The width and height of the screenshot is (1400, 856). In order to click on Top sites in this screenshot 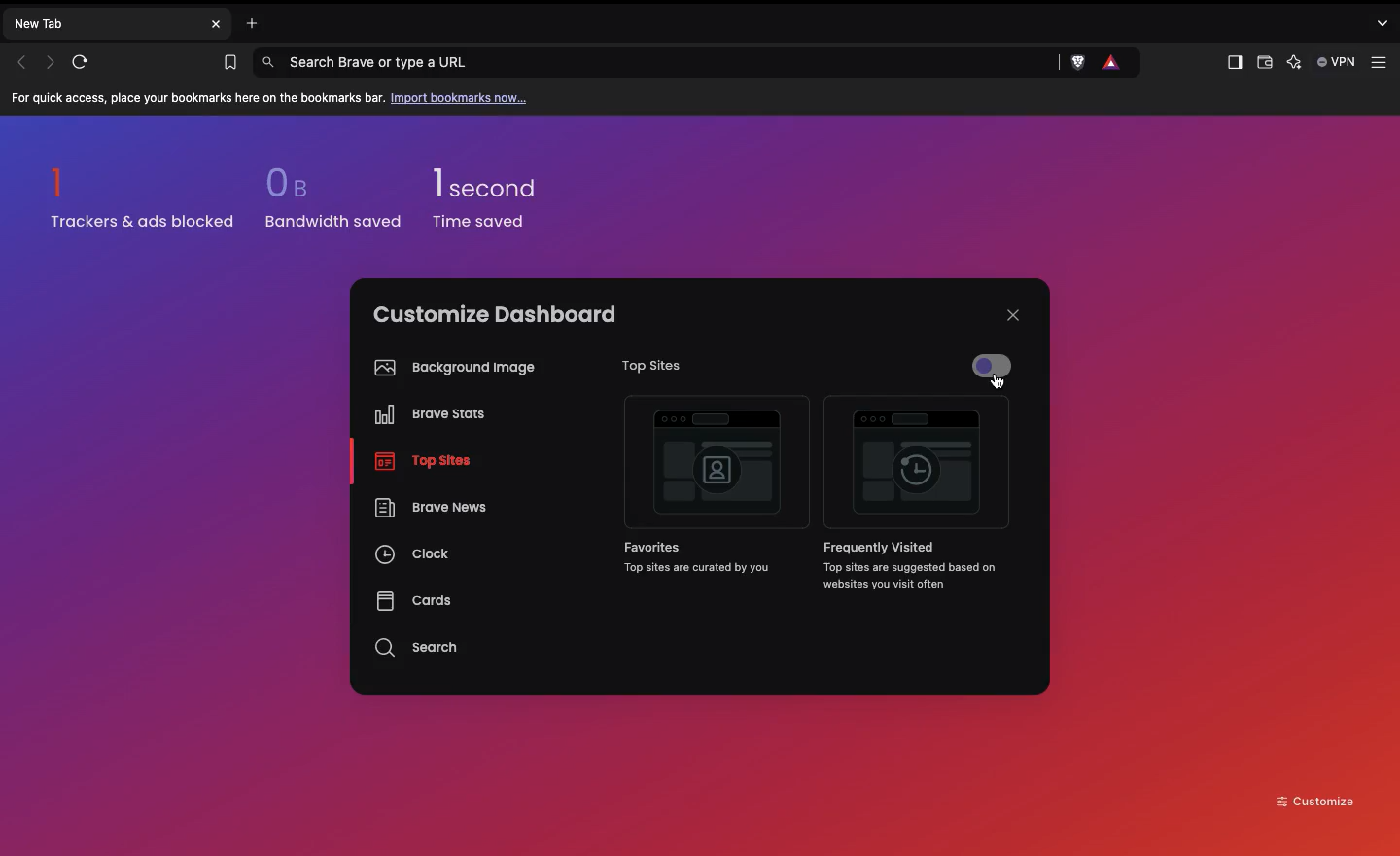, I will do `click(645, 367)`.